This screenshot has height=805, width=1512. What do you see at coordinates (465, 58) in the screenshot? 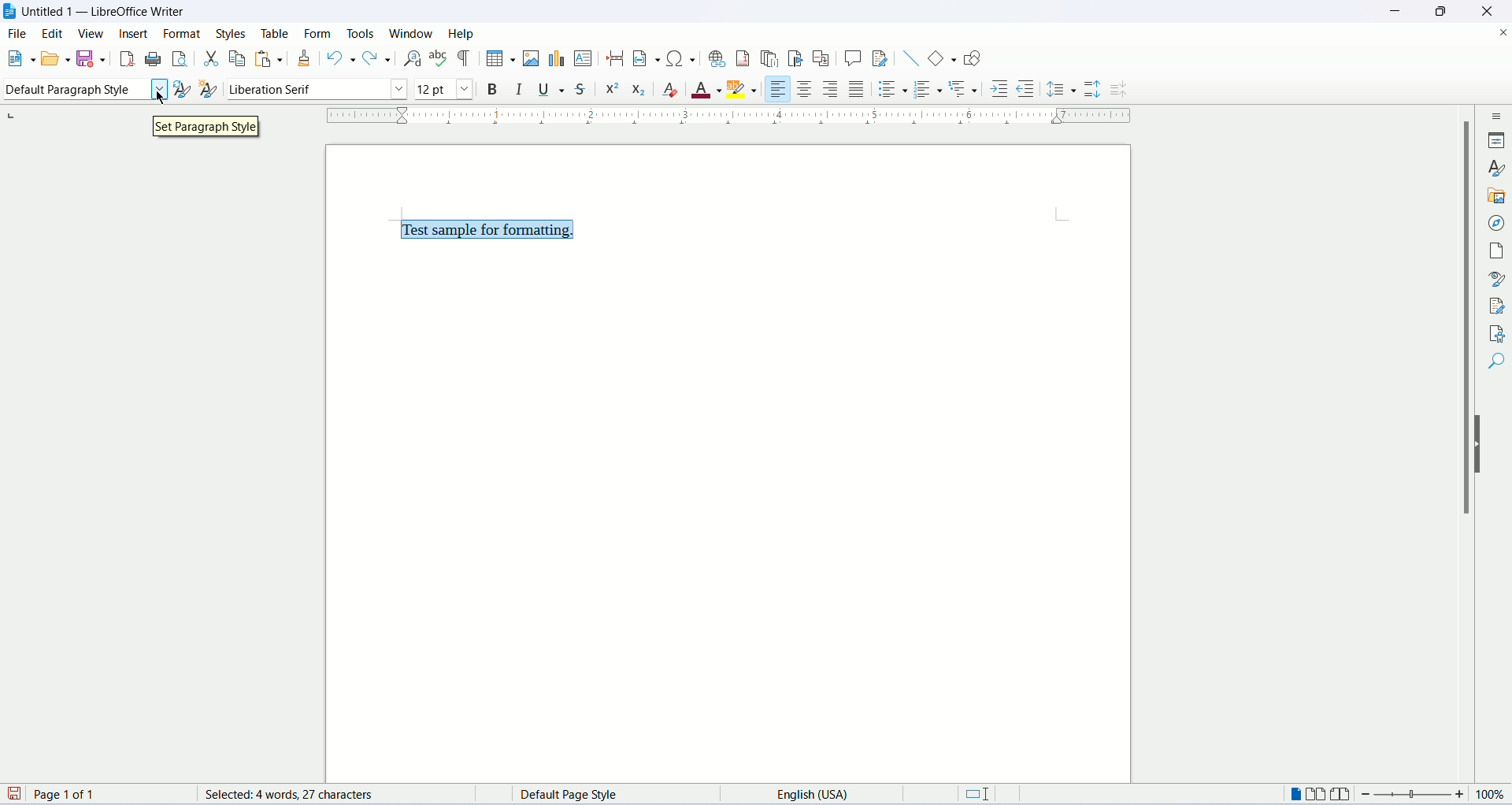
I see `mark formatting` at bounding box center [465, 58].